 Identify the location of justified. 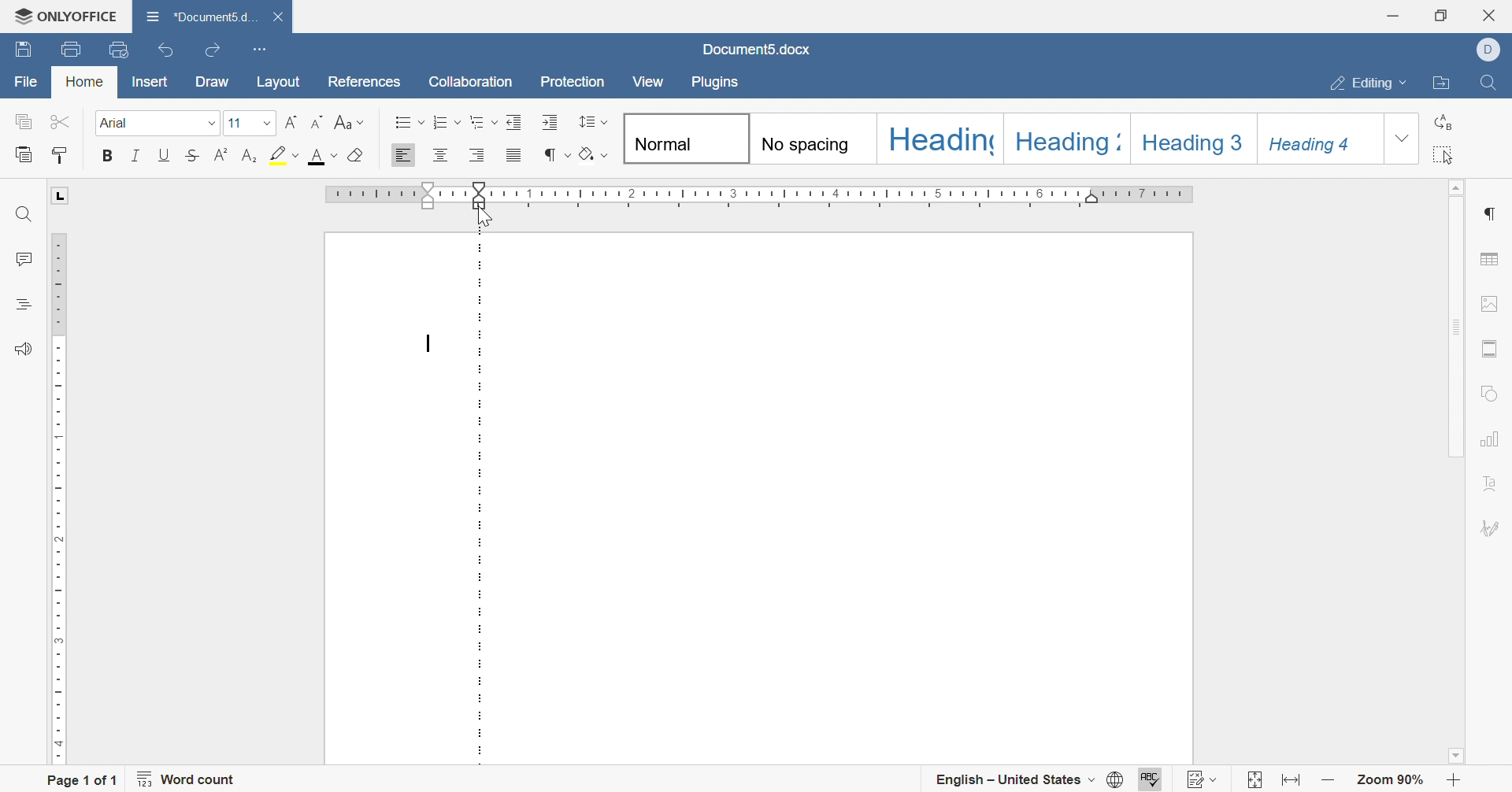
(513, 157).